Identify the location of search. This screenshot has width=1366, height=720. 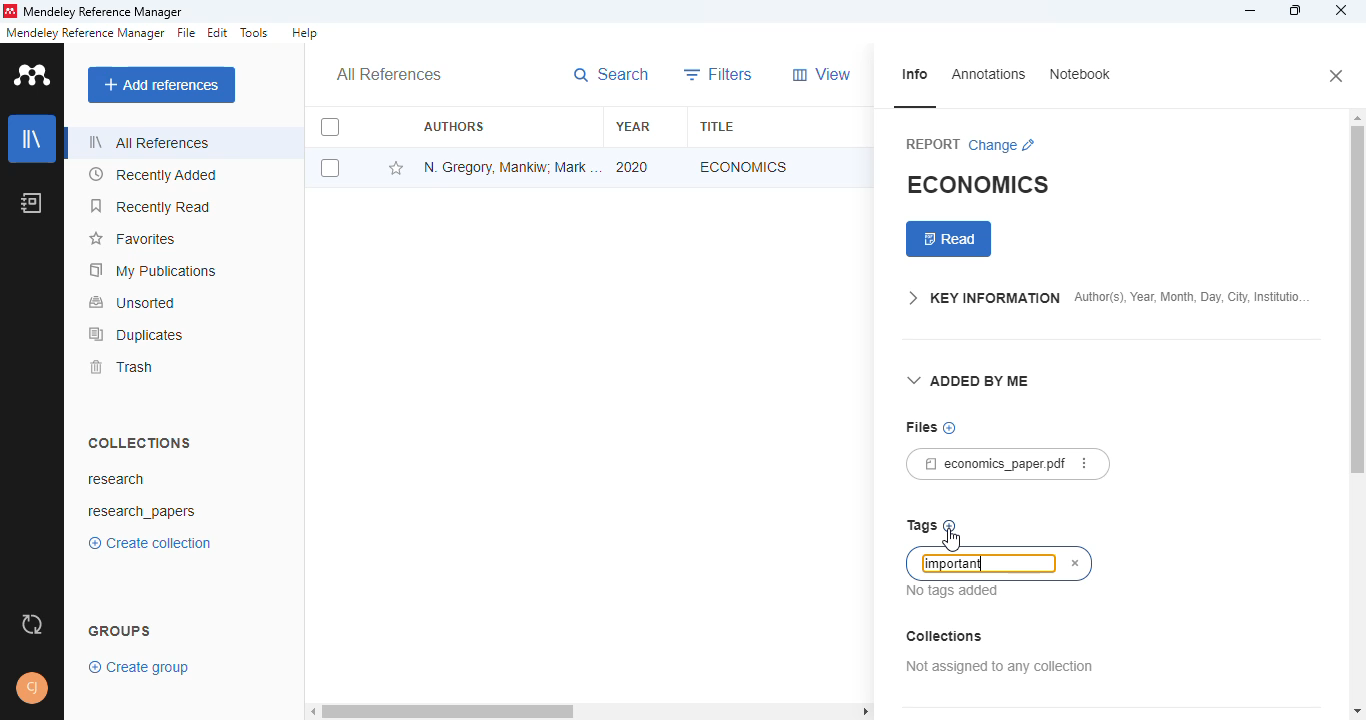
(611, 75).